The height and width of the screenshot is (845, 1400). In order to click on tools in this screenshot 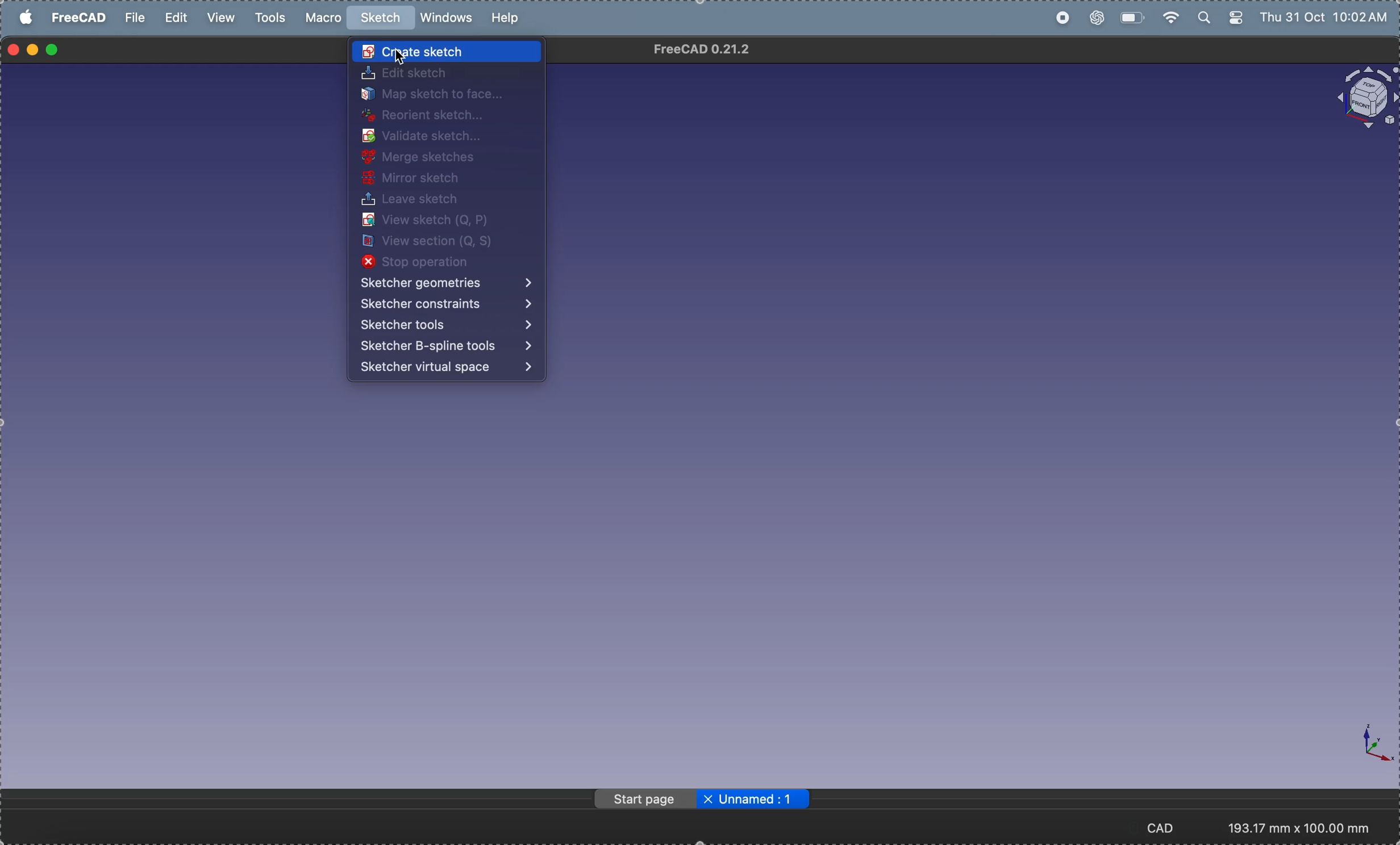, I will do `click(273, 18)`.